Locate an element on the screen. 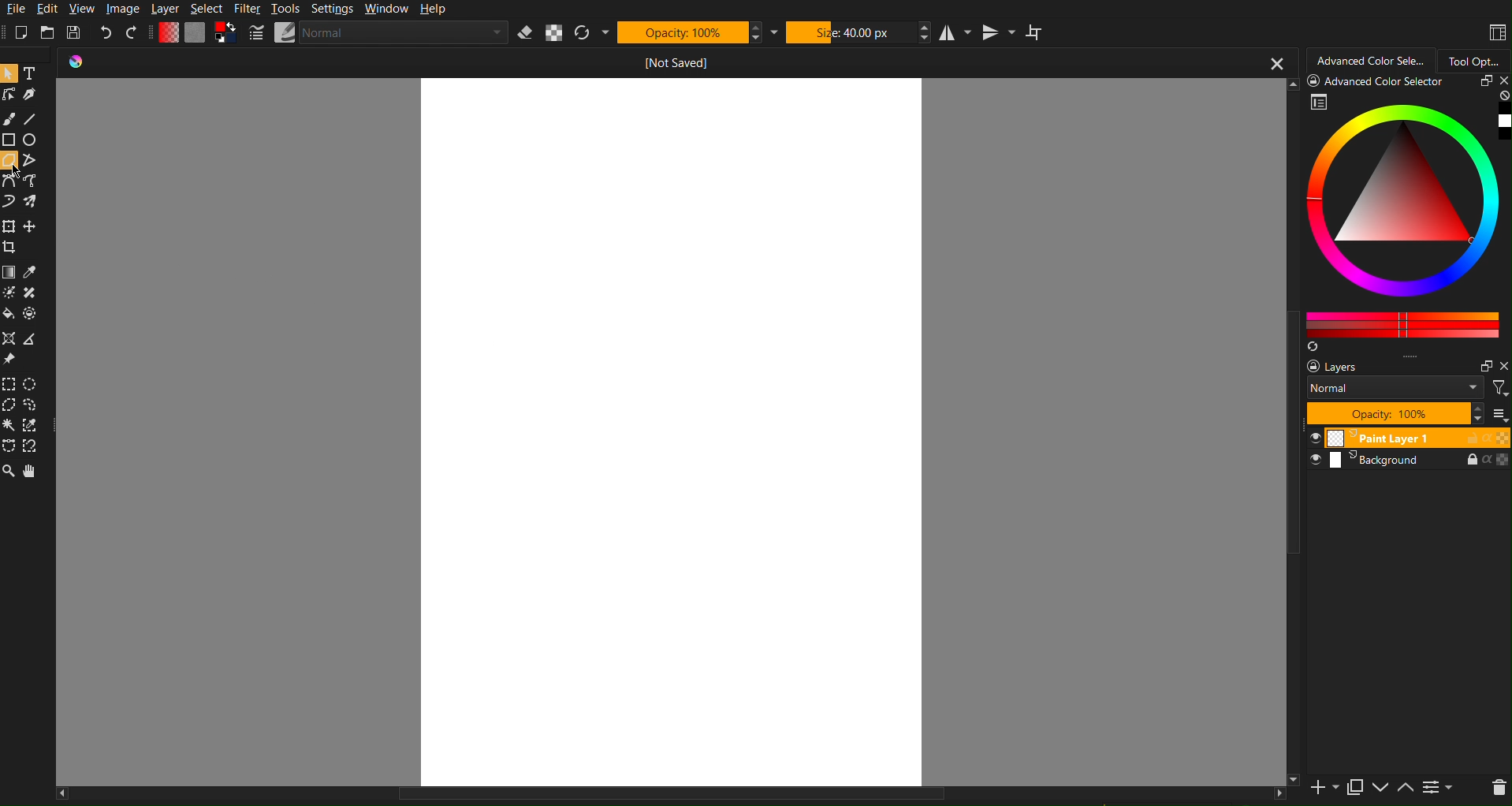 The height and width of the screenshot is (806, 1512). scroll bar is located at coordinates (675, 797).